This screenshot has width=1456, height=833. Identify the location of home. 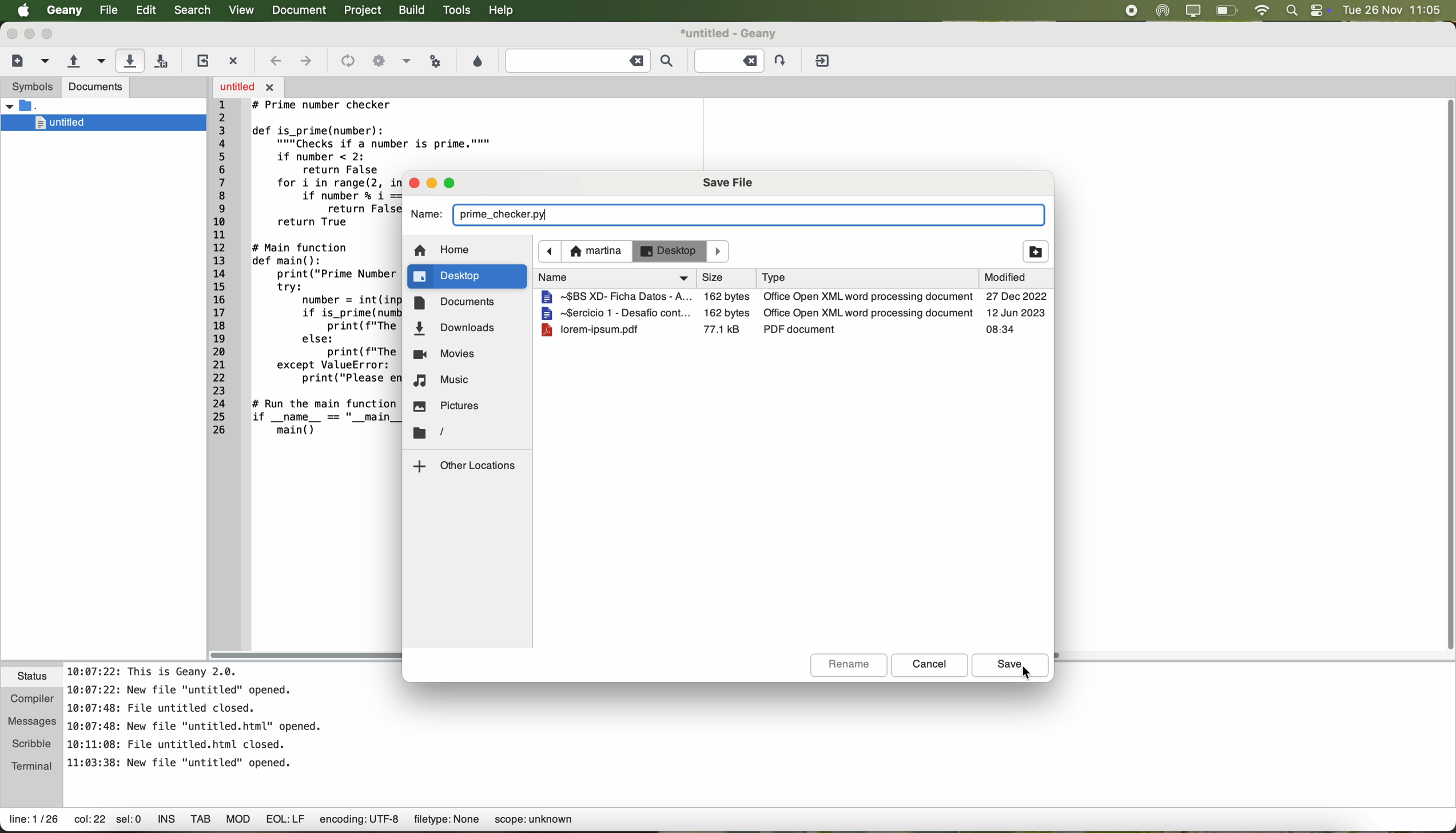
(443, 251).